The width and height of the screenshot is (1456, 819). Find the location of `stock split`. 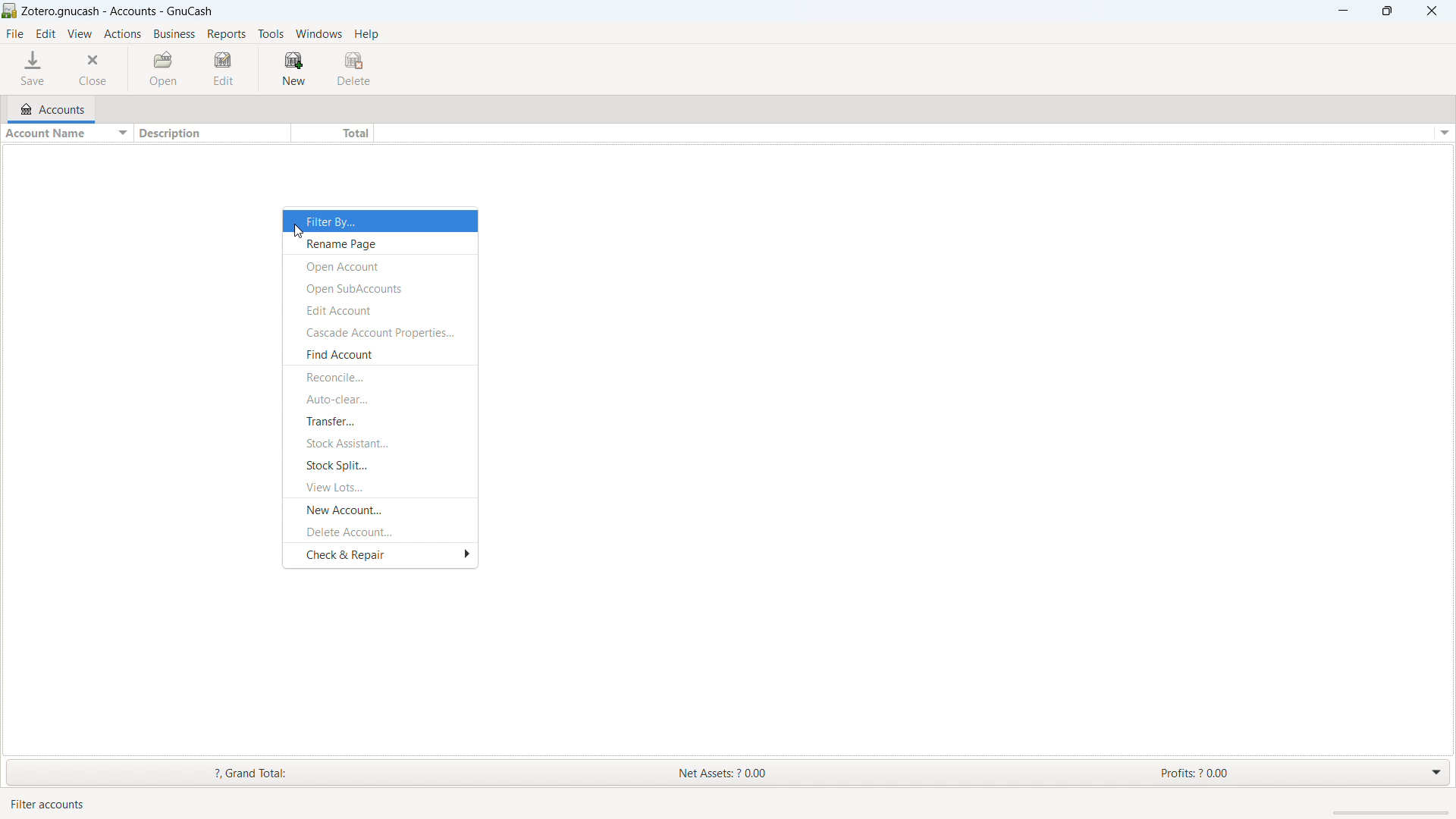

stock split is located at coordinates (378, 463).